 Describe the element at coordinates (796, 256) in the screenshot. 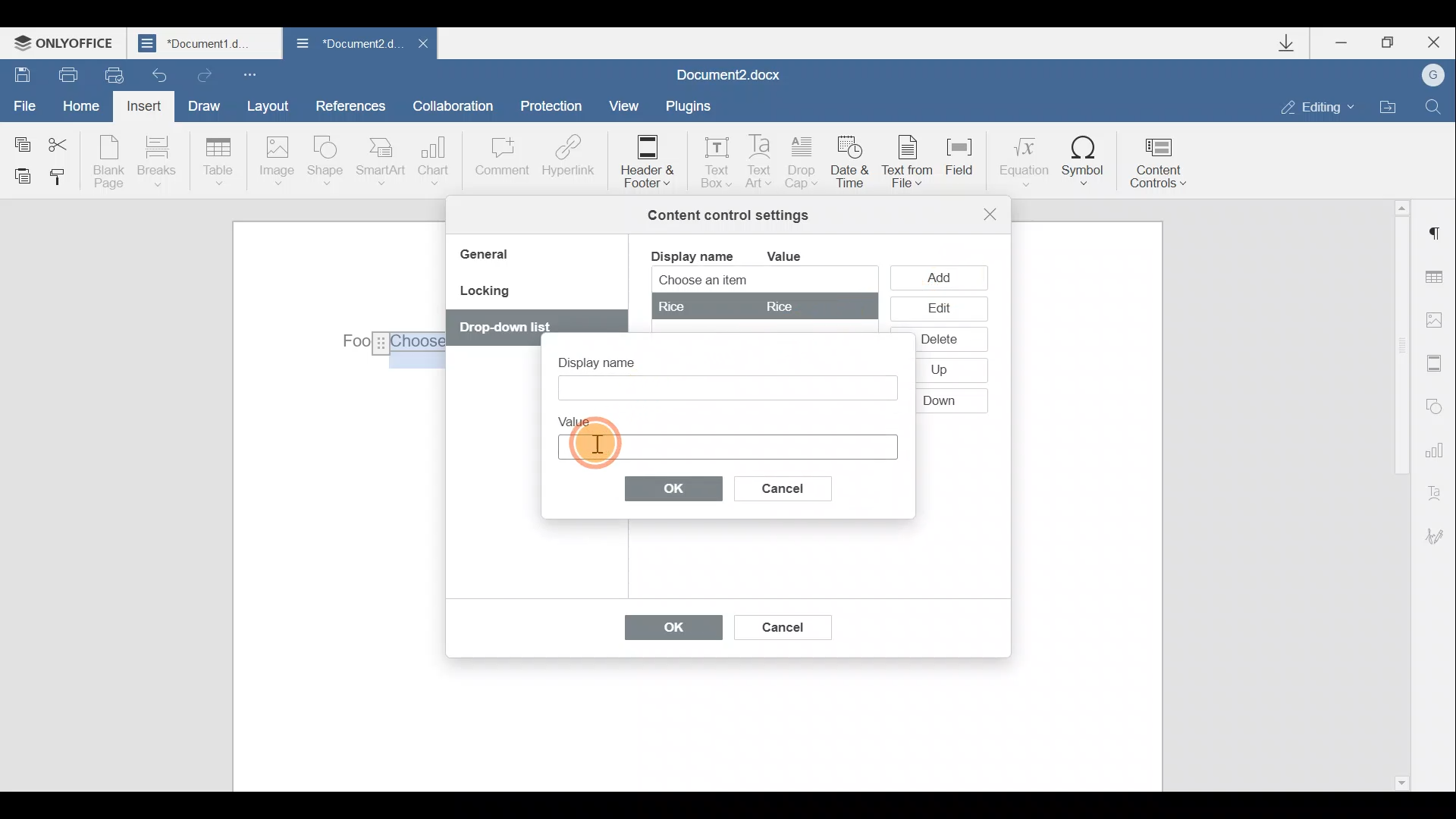

I see `Value` at that location.